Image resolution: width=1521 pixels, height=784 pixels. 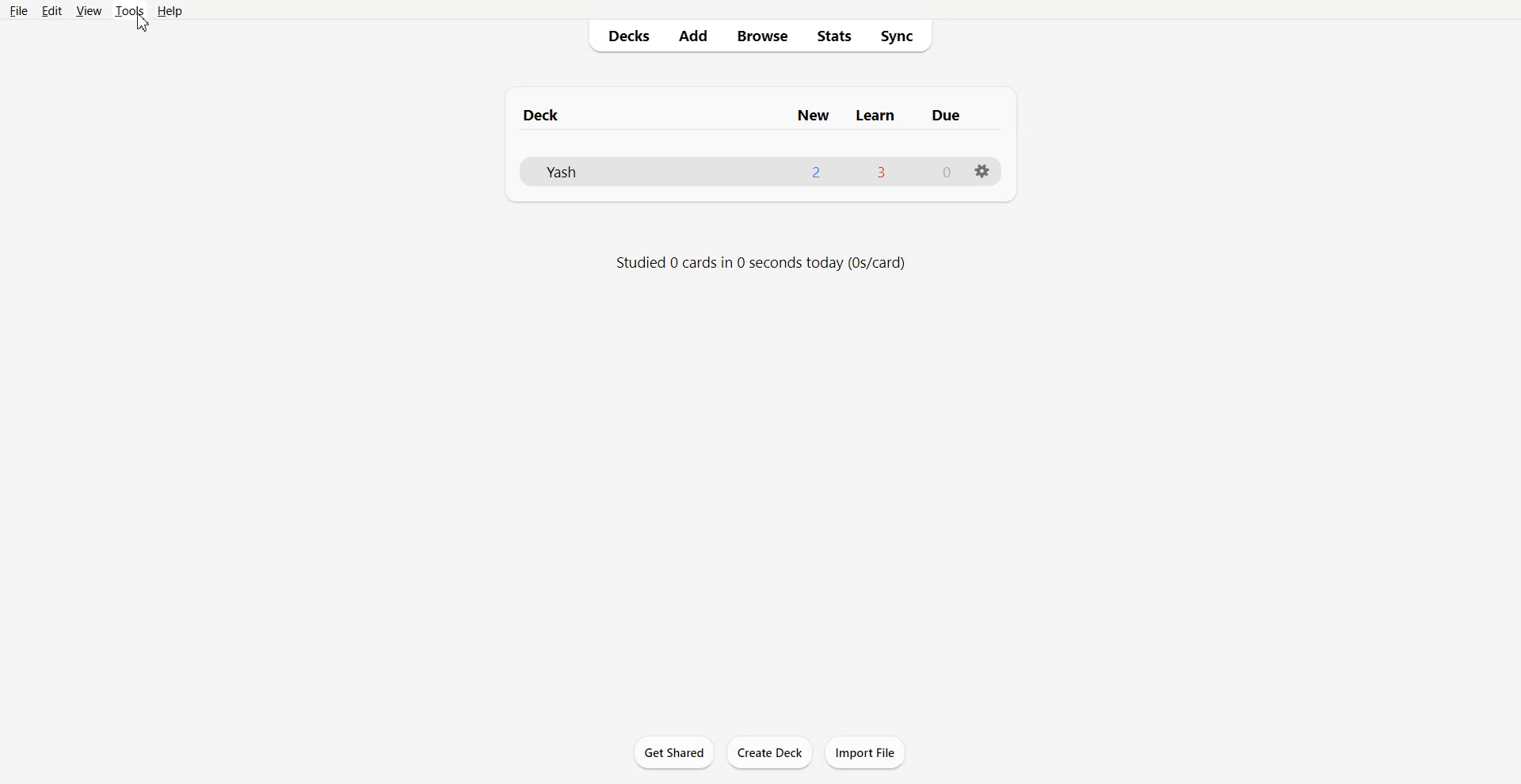 I want to click on 2, so click(x=816, y=172).